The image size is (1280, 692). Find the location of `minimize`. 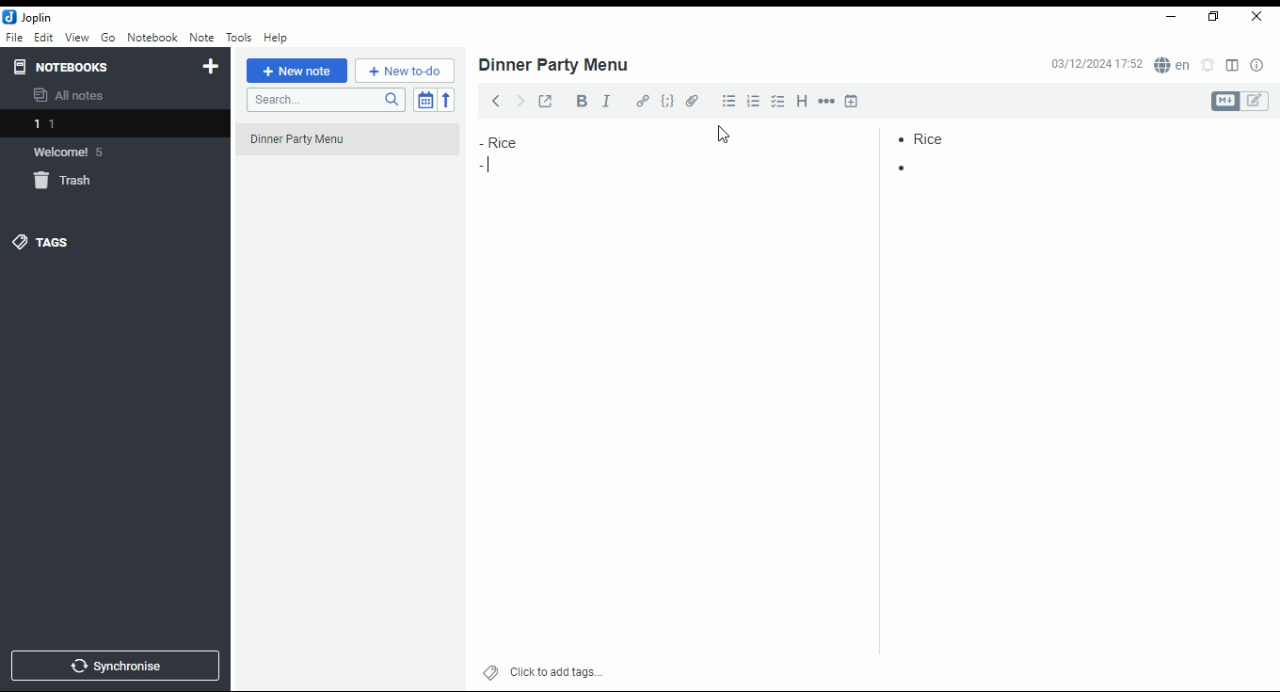

minimize is located at coordinates (1172, 17).